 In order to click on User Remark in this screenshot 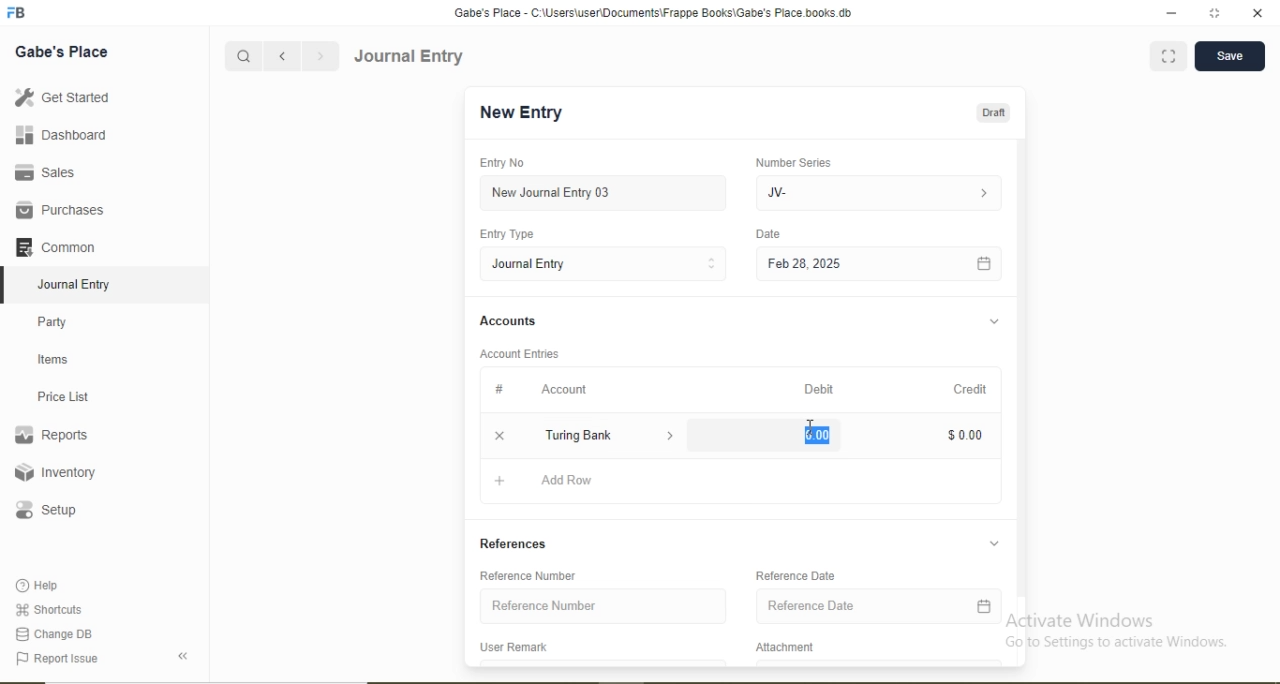, I will do `click(513, 646)`.